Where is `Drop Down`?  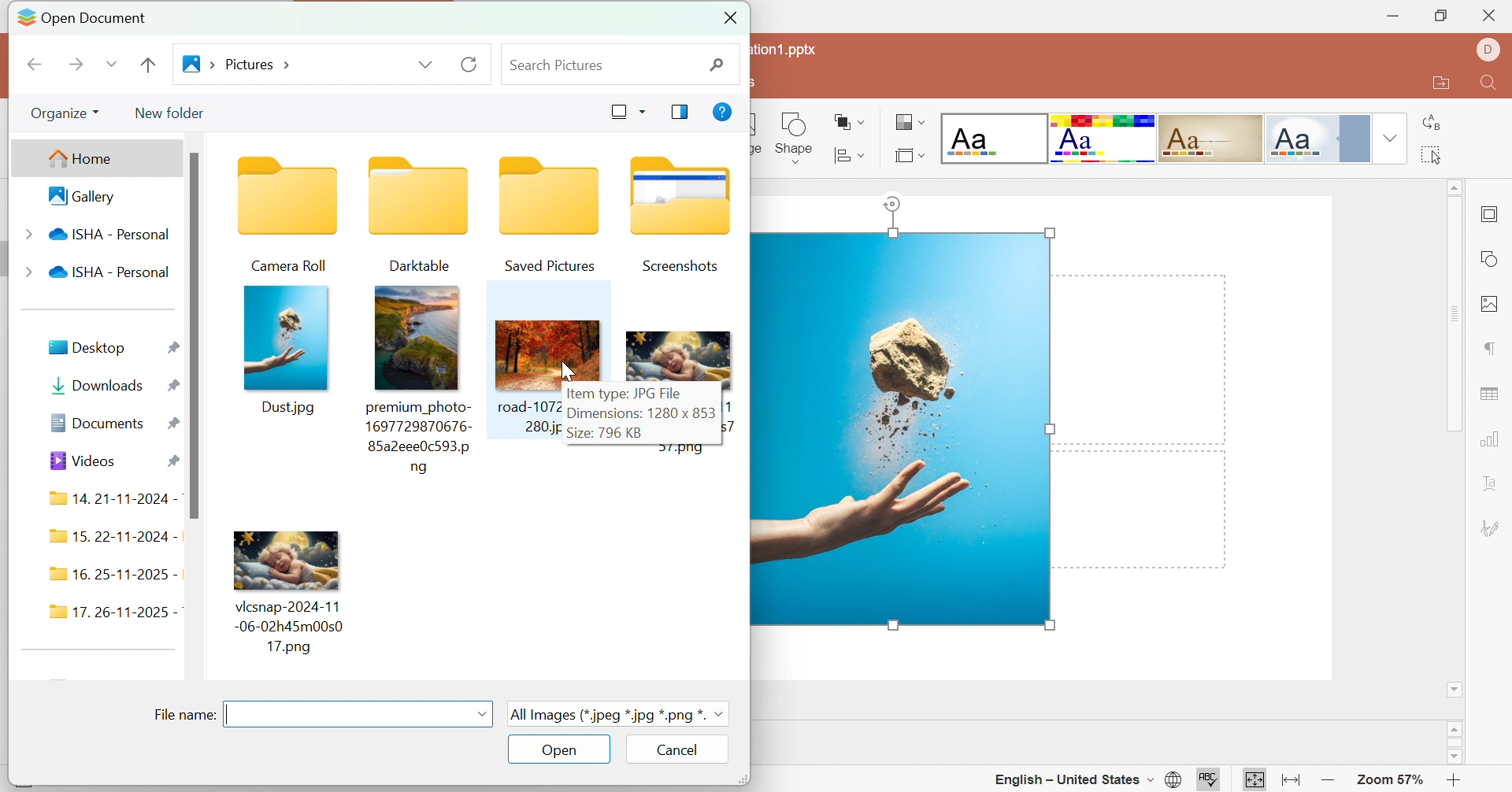 Drop Down is located at coordinates (31, 275).